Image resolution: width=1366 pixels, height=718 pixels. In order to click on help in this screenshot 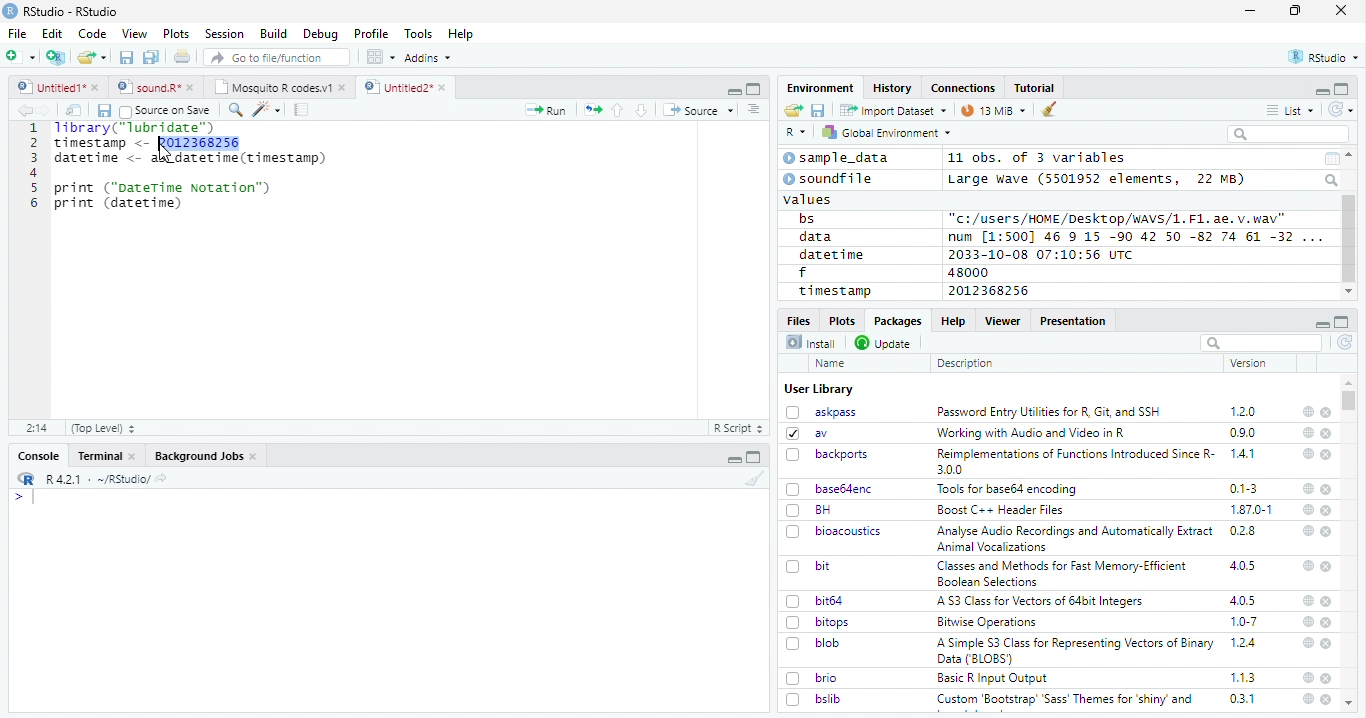, I will do `click(1307, 453)`.